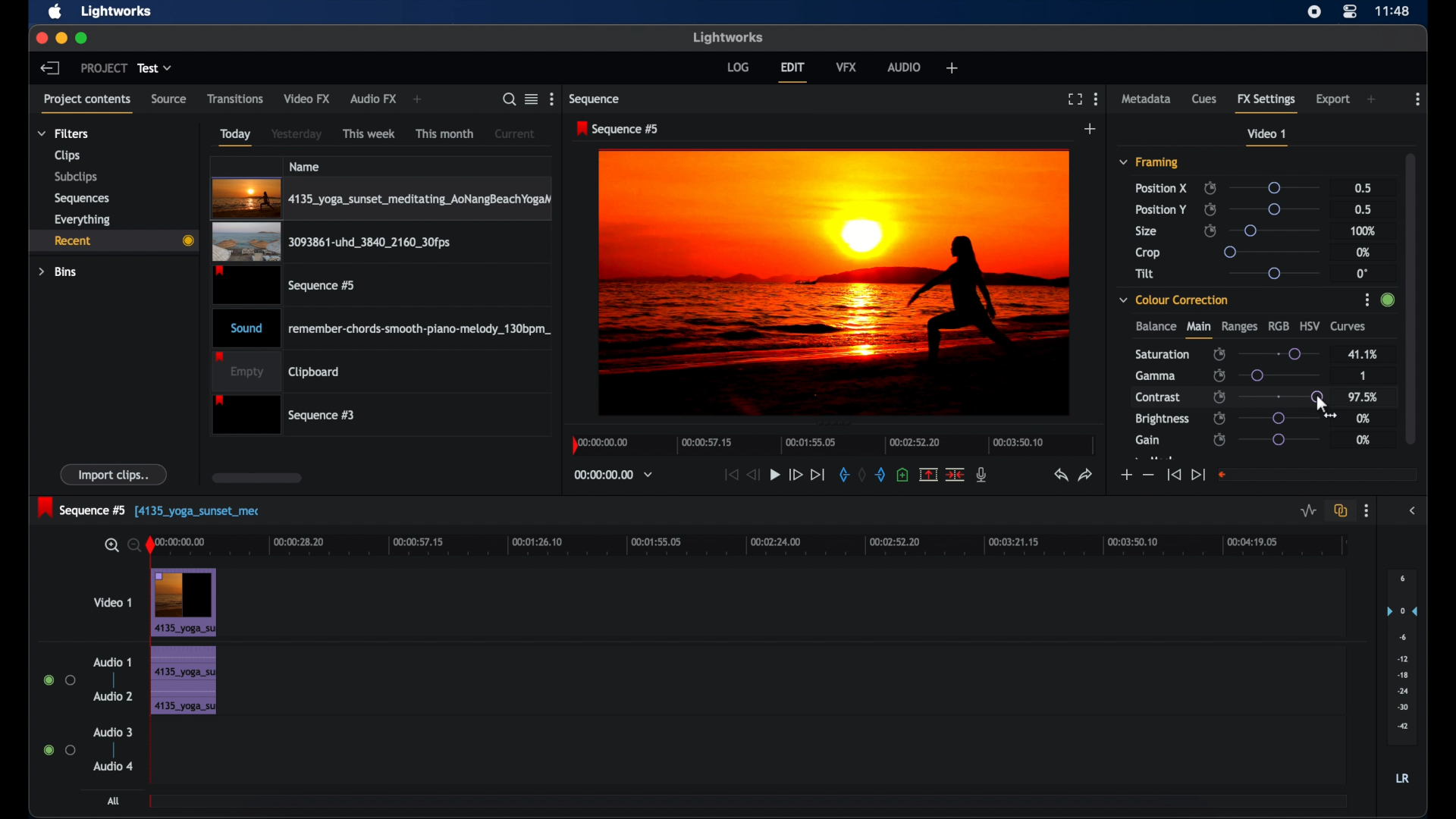  What do you see at coordinates (1161, 209) in the screenshot?
I see `position` at bounding box center [1161, 209].